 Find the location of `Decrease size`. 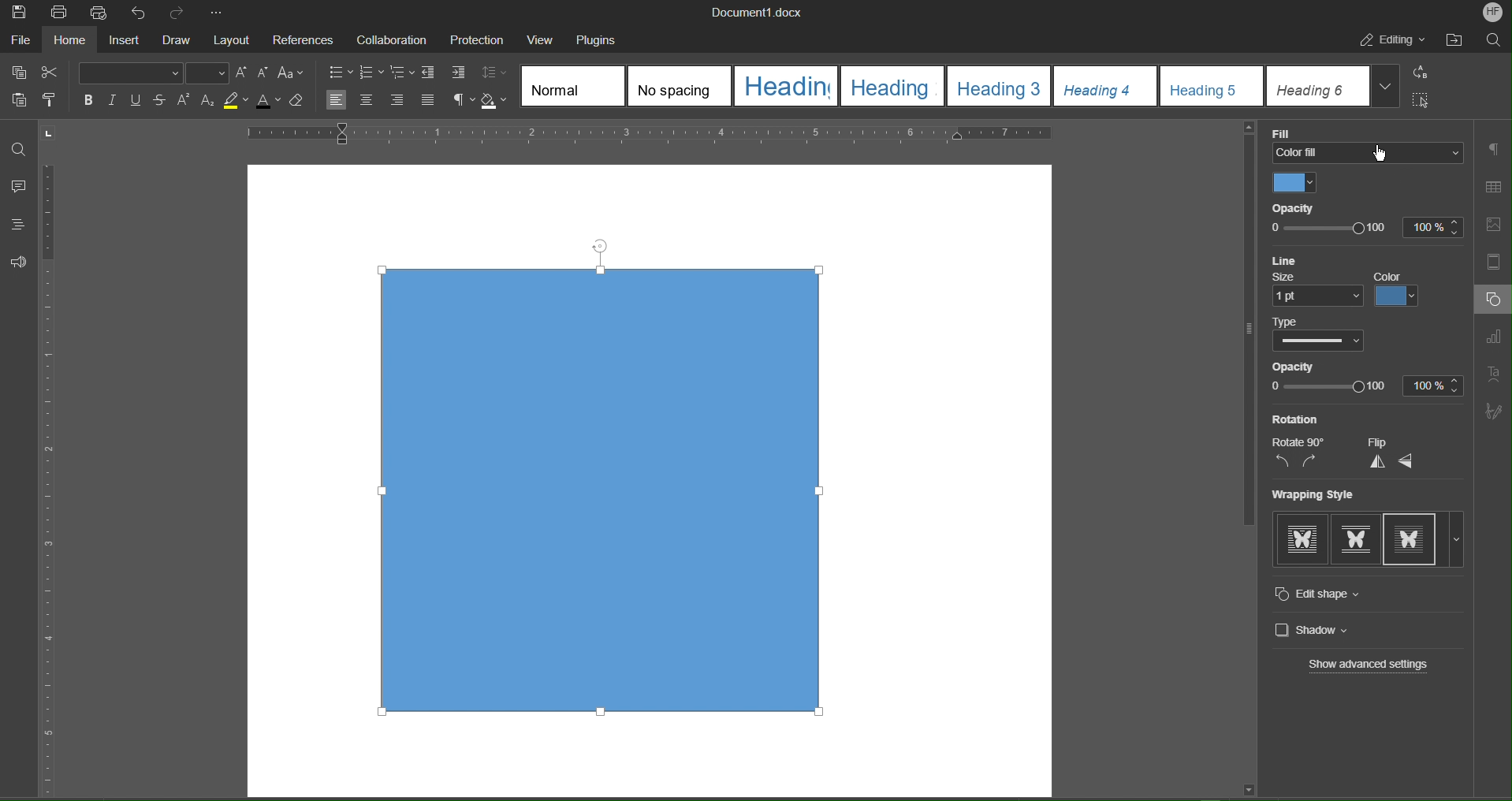

Decrease size is located at coordinates (264, 73).